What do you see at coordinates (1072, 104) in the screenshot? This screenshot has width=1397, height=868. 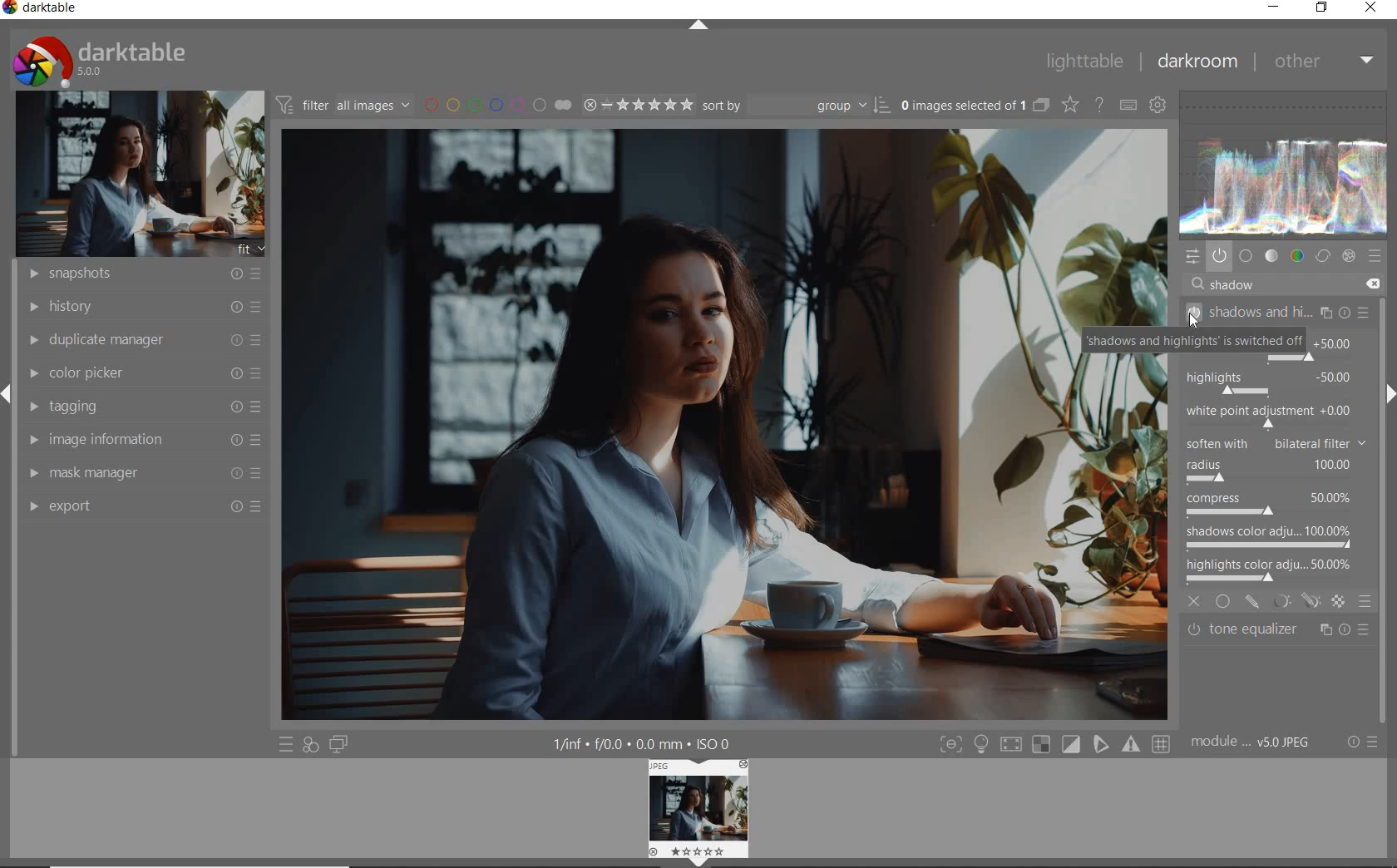 I see `change type of overlays` at bounding box center [1072, 104].